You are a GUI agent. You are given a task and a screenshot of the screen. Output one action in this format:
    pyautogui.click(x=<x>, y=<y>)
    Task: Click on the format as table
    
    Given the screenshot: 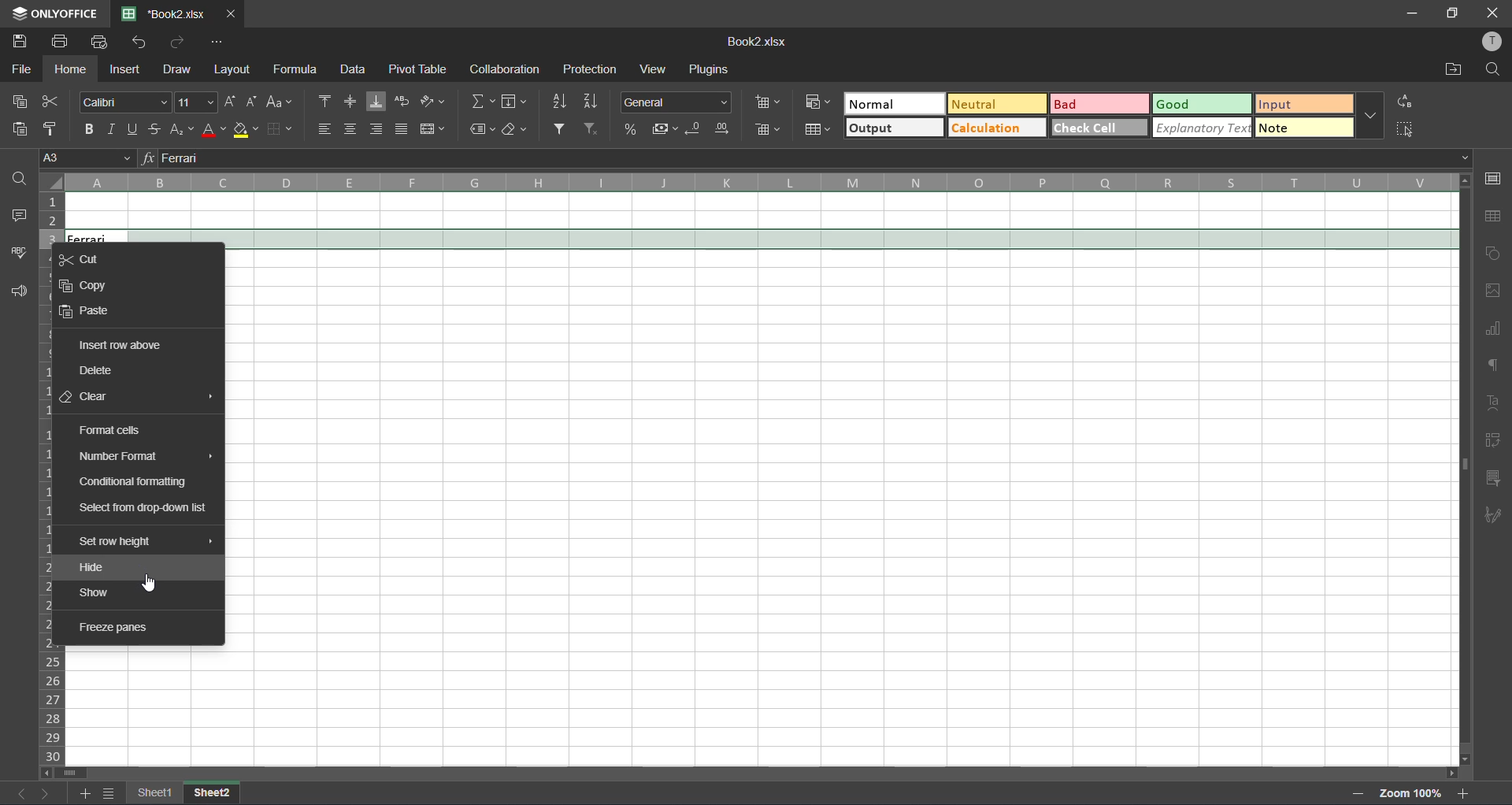 What is the action you would take?
    pyautogui.click(x=818, y=130)
    